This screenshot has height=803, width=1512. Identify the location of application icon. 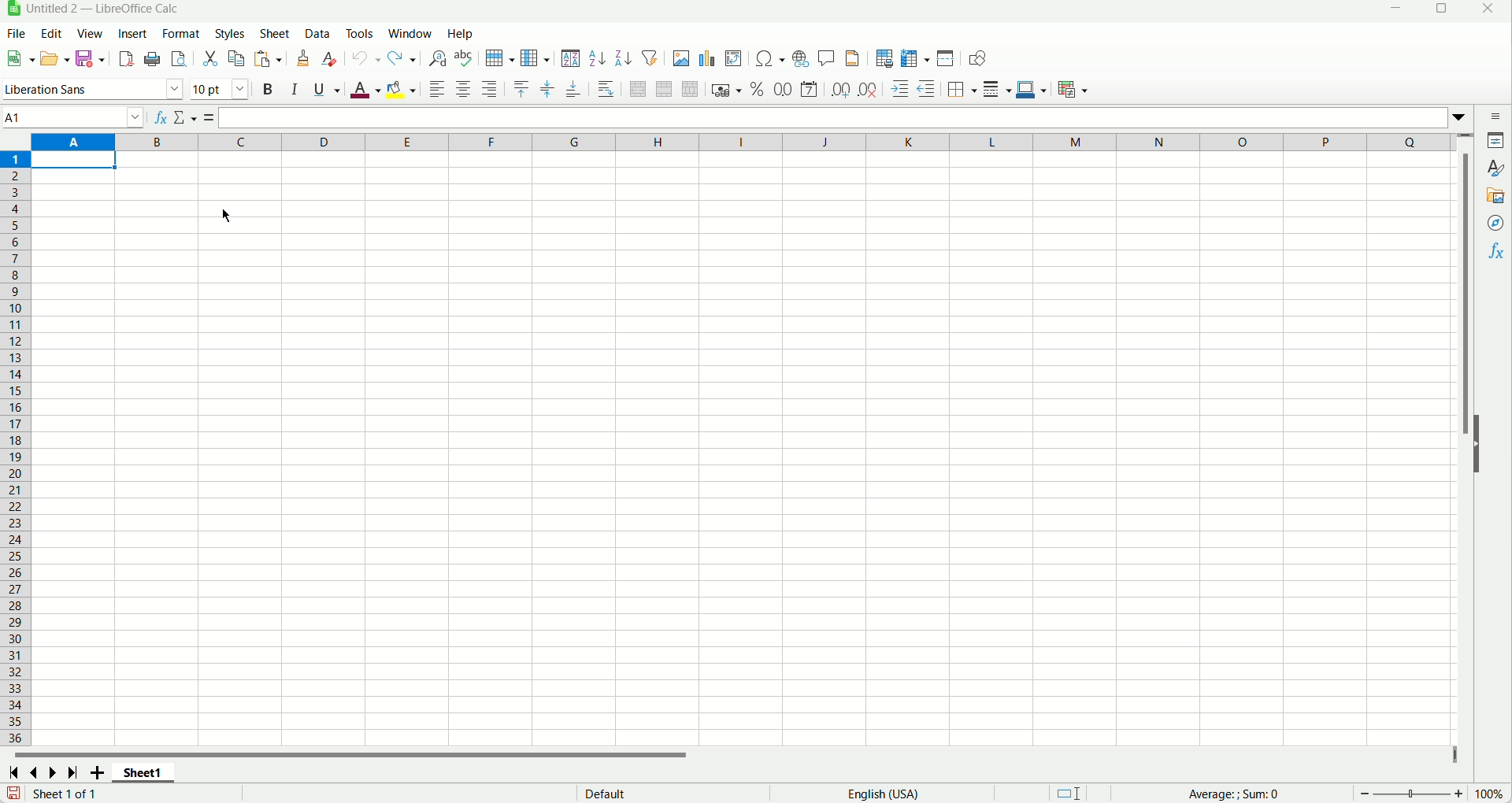
(13, 9).